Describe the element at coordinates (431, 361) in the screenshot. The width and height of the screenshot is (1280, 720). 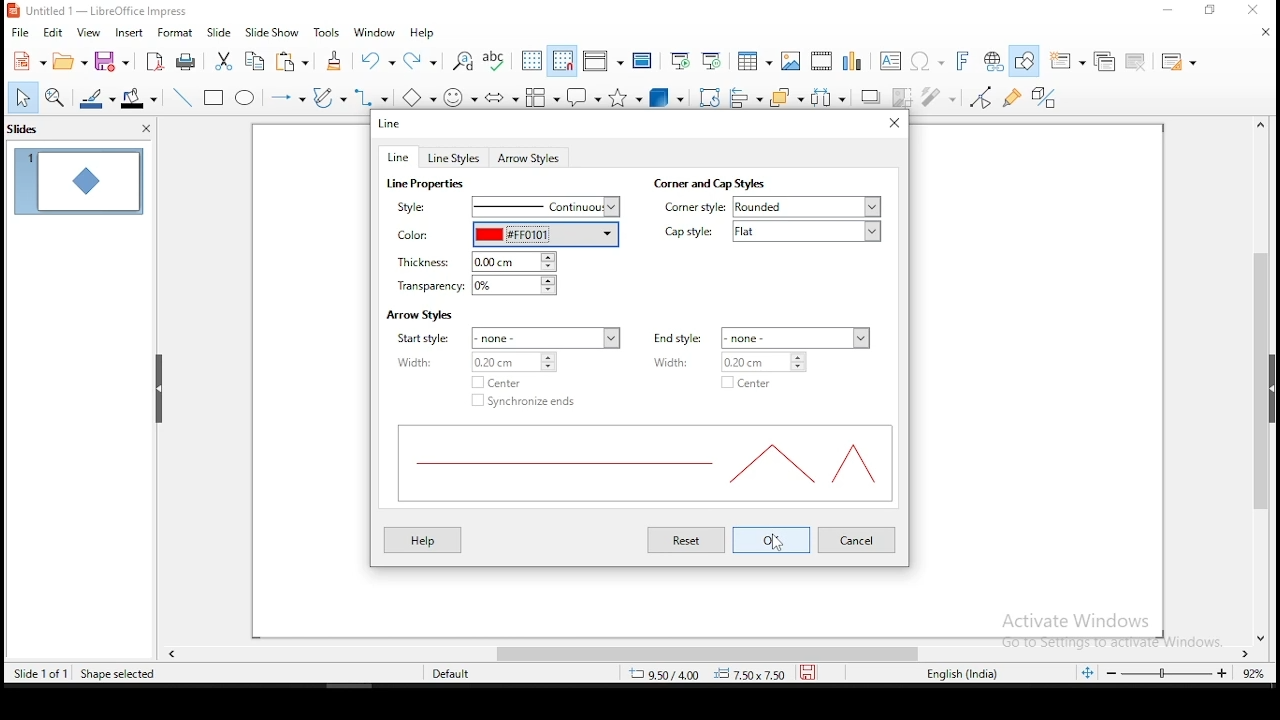
I see `width` at that location.